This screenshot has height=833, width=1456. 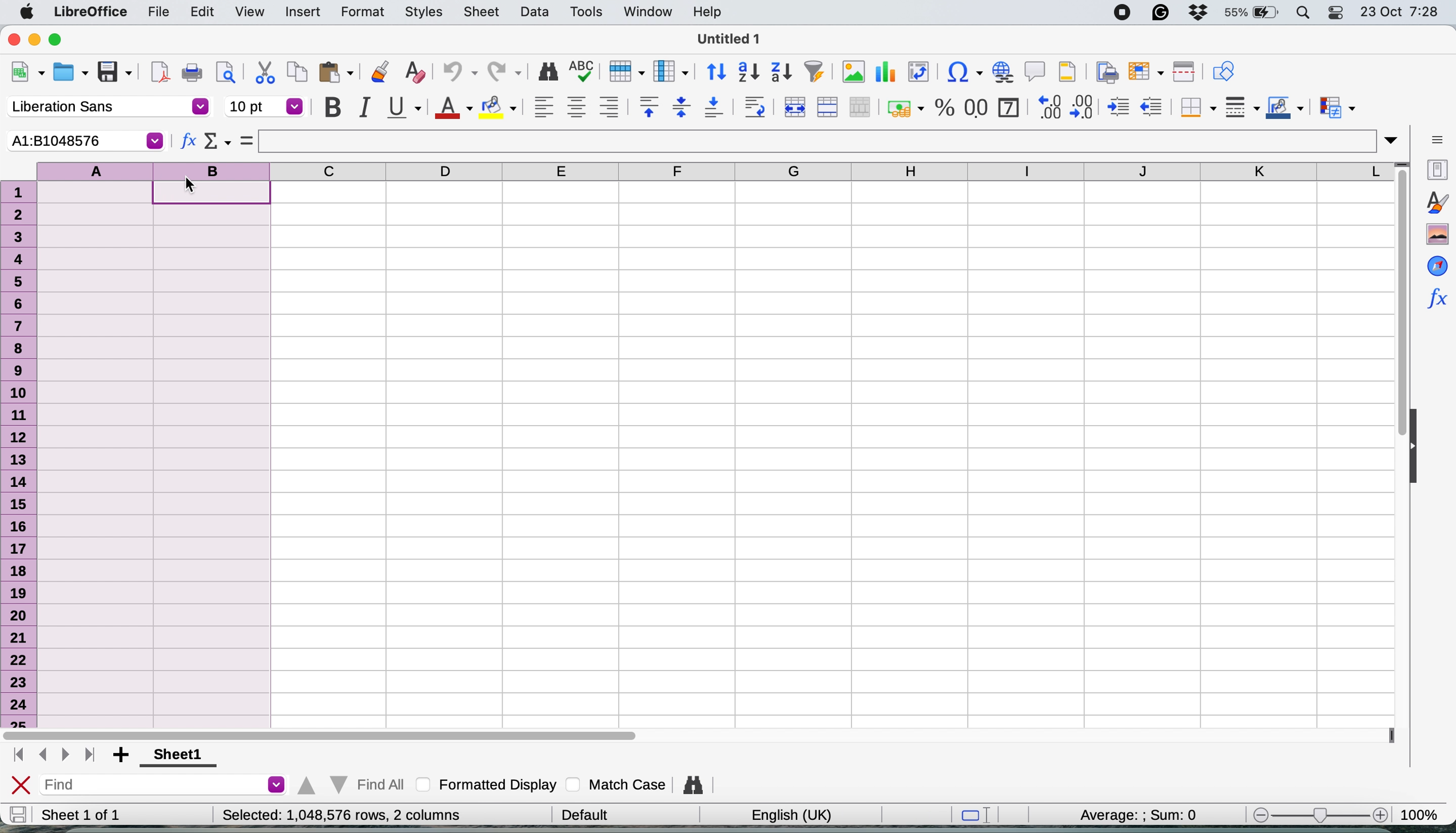 I want to click on clone formatting, so click(x=378, y=74).